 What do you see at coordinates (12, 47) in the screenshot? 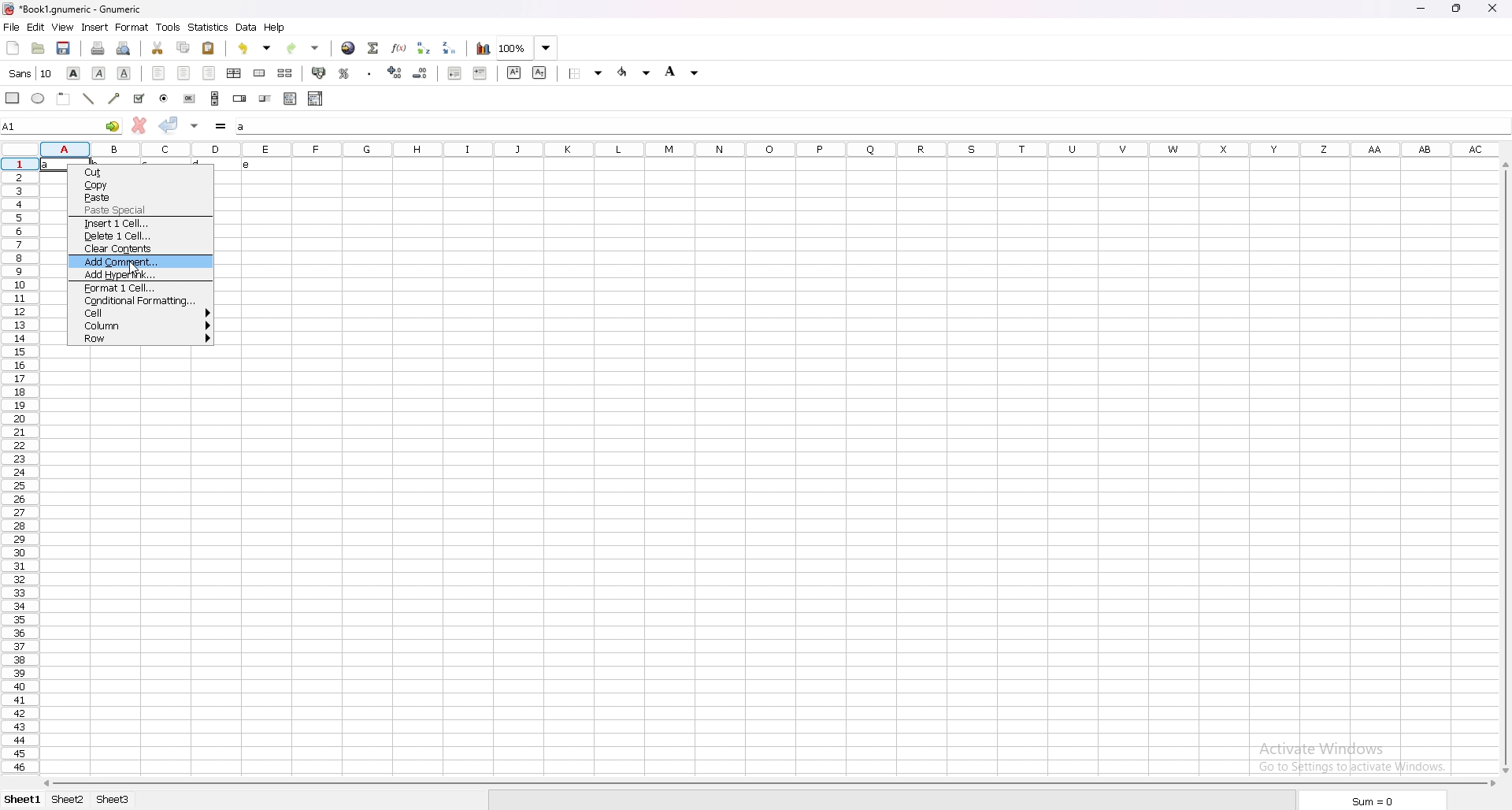
I see `new` at bounding box center [12, 47].